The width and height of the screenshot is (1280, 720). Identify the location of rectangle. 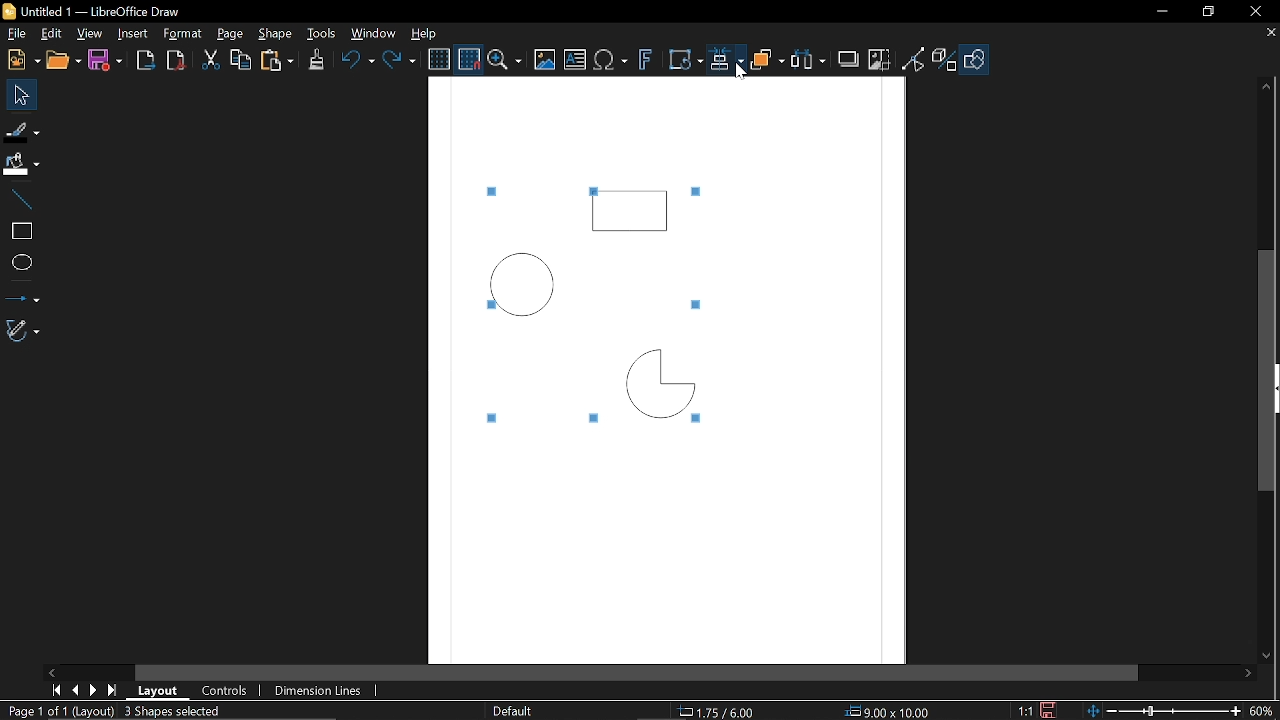
(18, 228).